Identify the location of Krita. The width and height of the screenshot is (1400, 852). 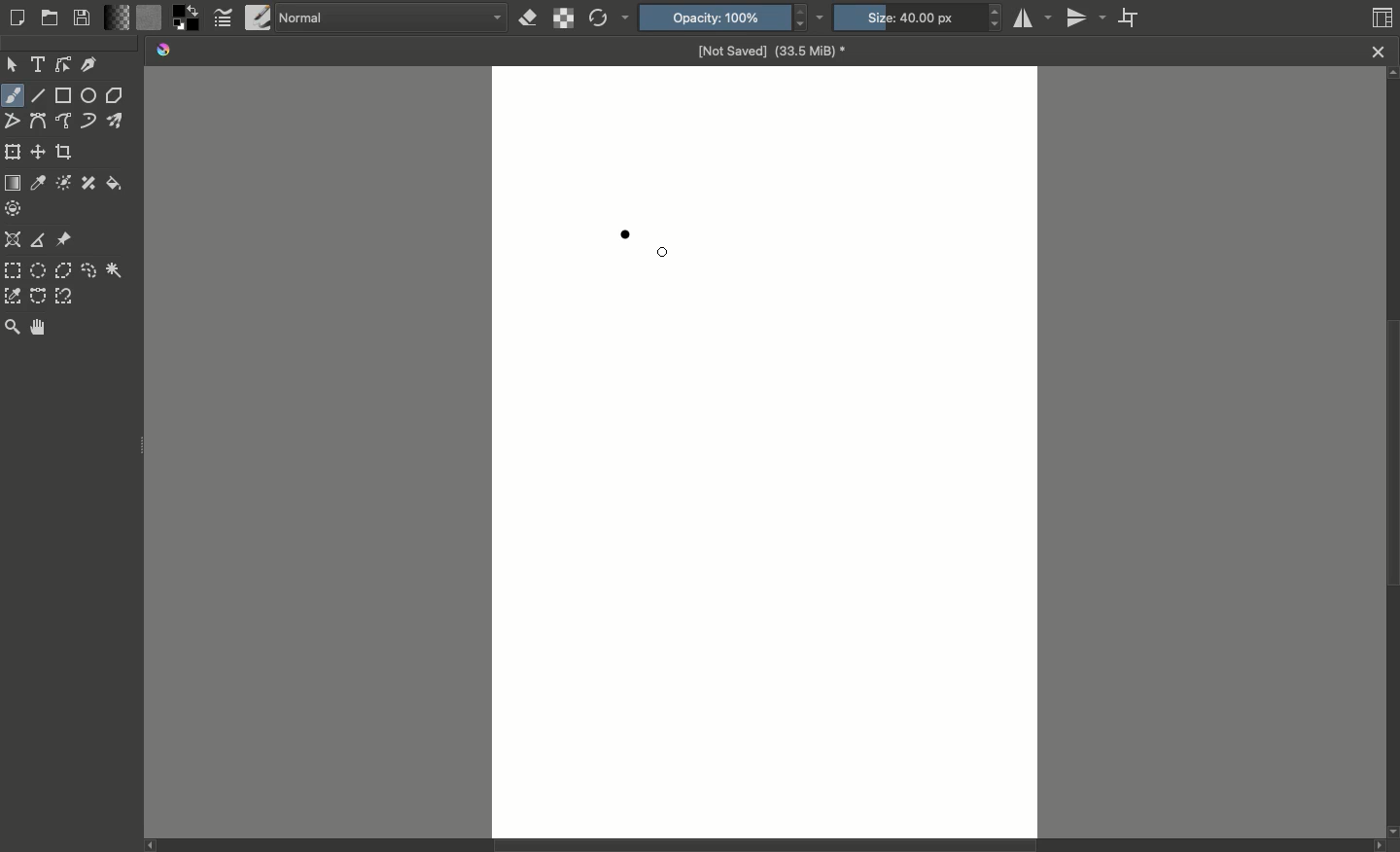
(165, 51).